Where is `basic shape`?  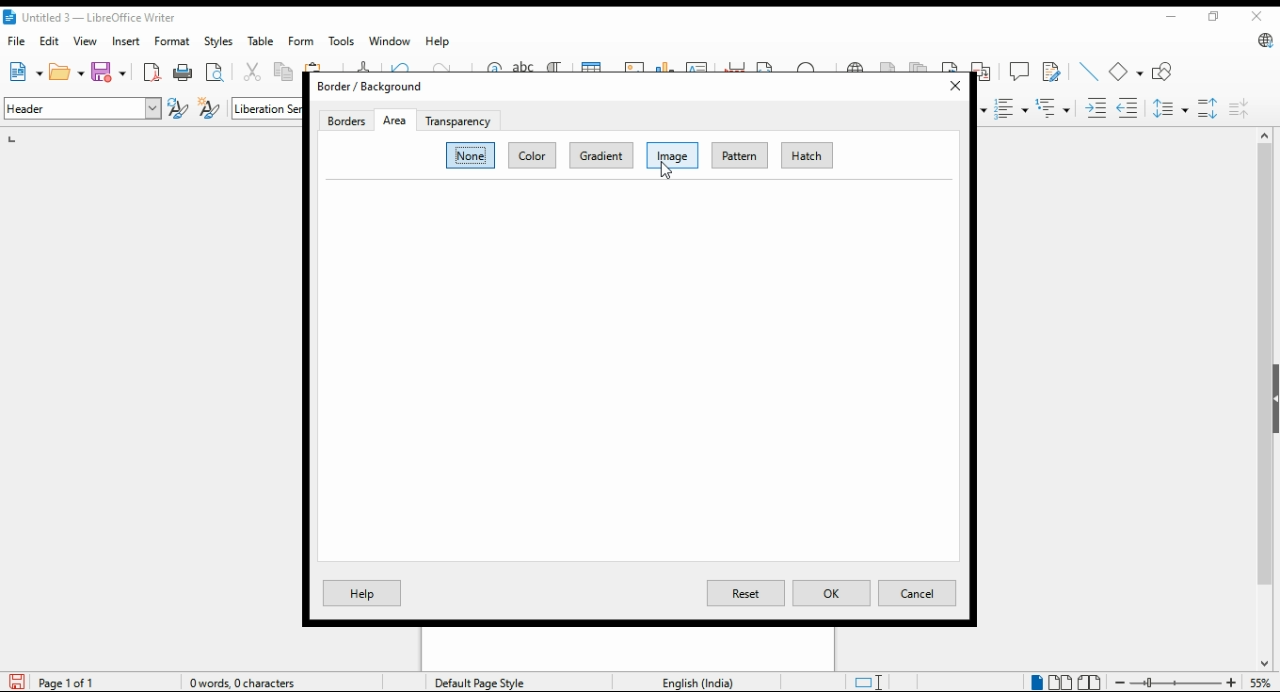 basic shape is located at coordinates (1127, 72).